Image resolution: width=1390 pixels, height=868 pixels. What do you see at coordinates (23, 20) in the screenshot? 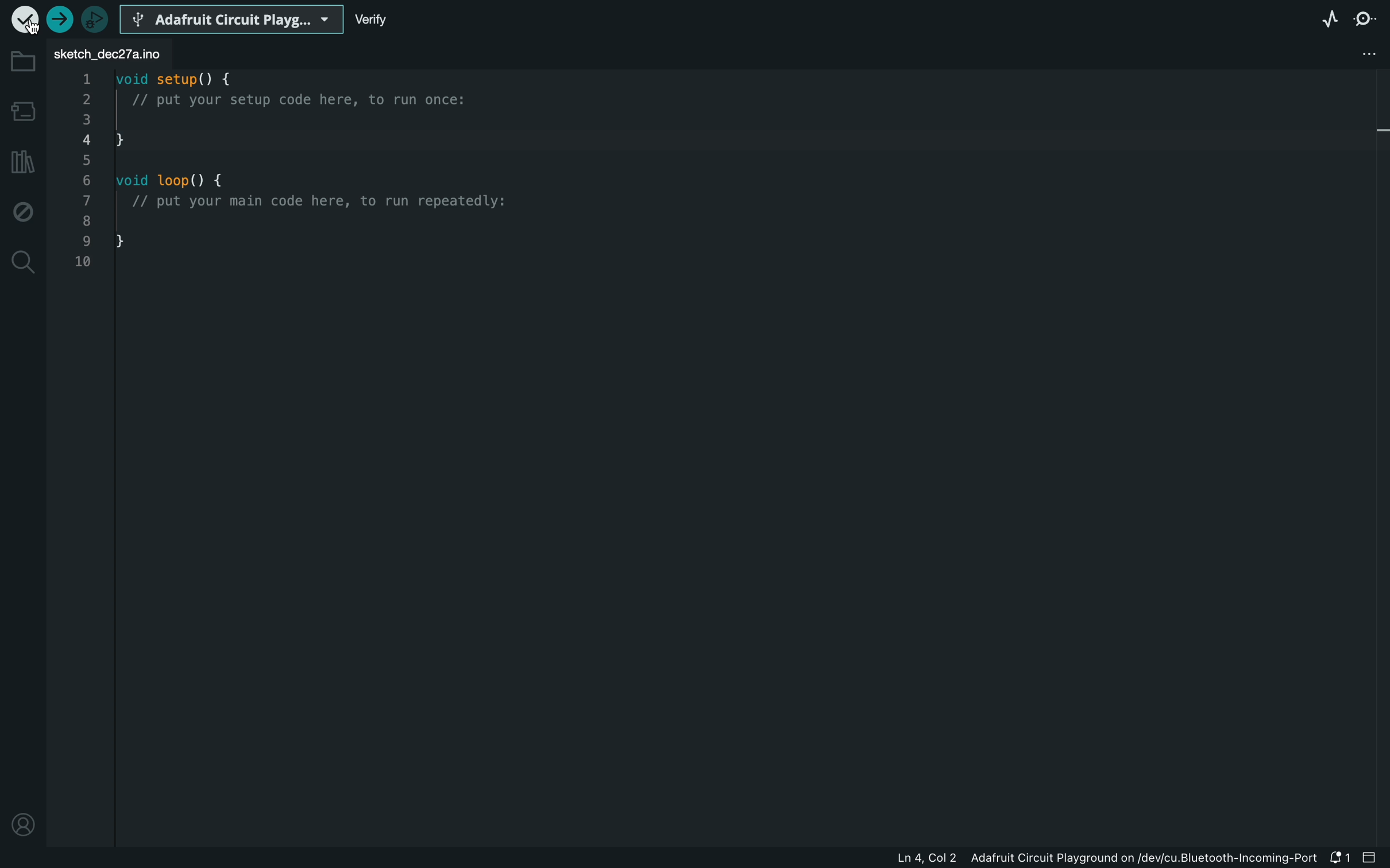
I see `verify` at bounding box center [23, 20].